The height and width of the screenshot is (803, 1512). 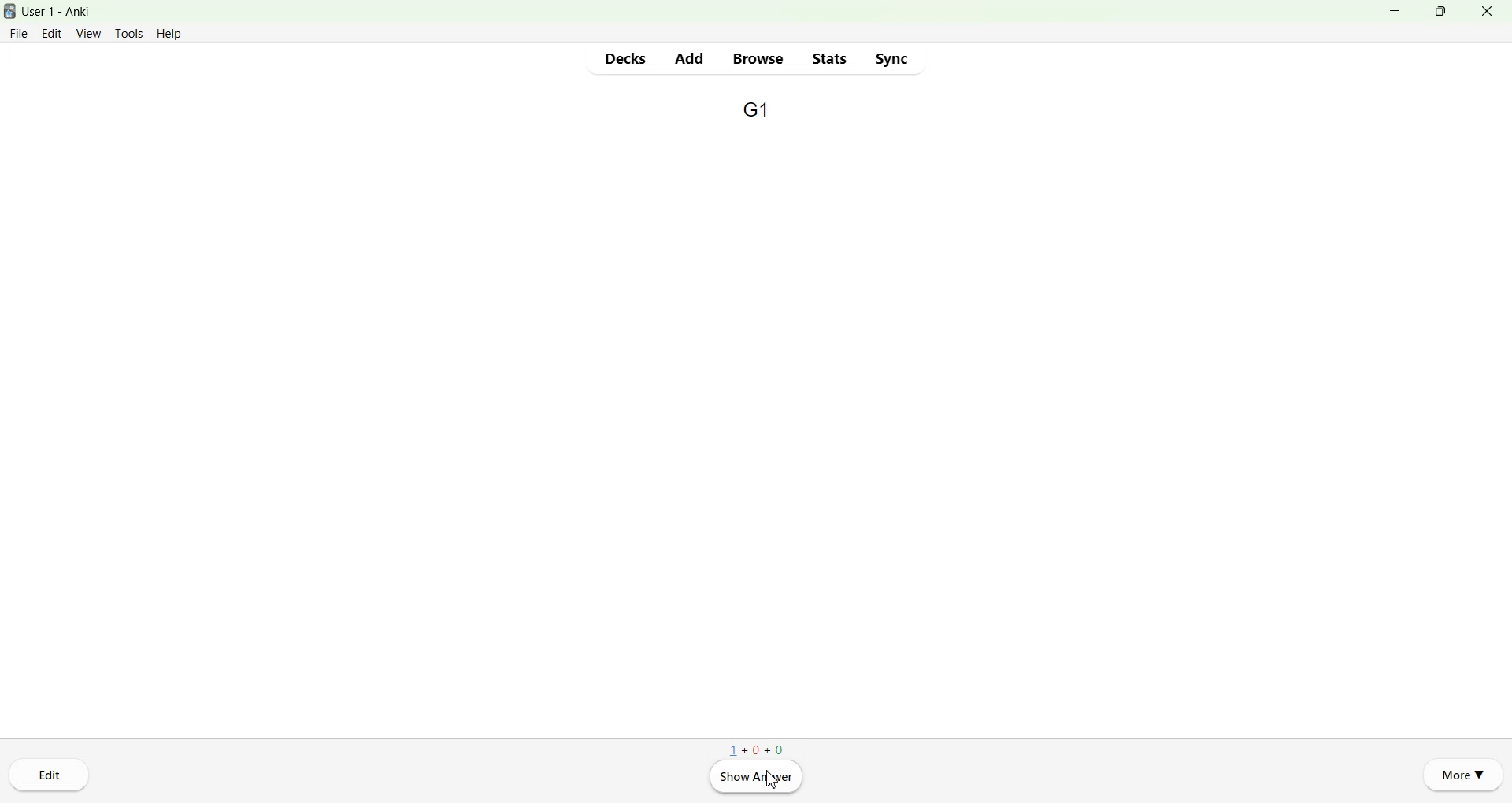 I want to click on User 1 - Anki, so click(x=66, y=12).